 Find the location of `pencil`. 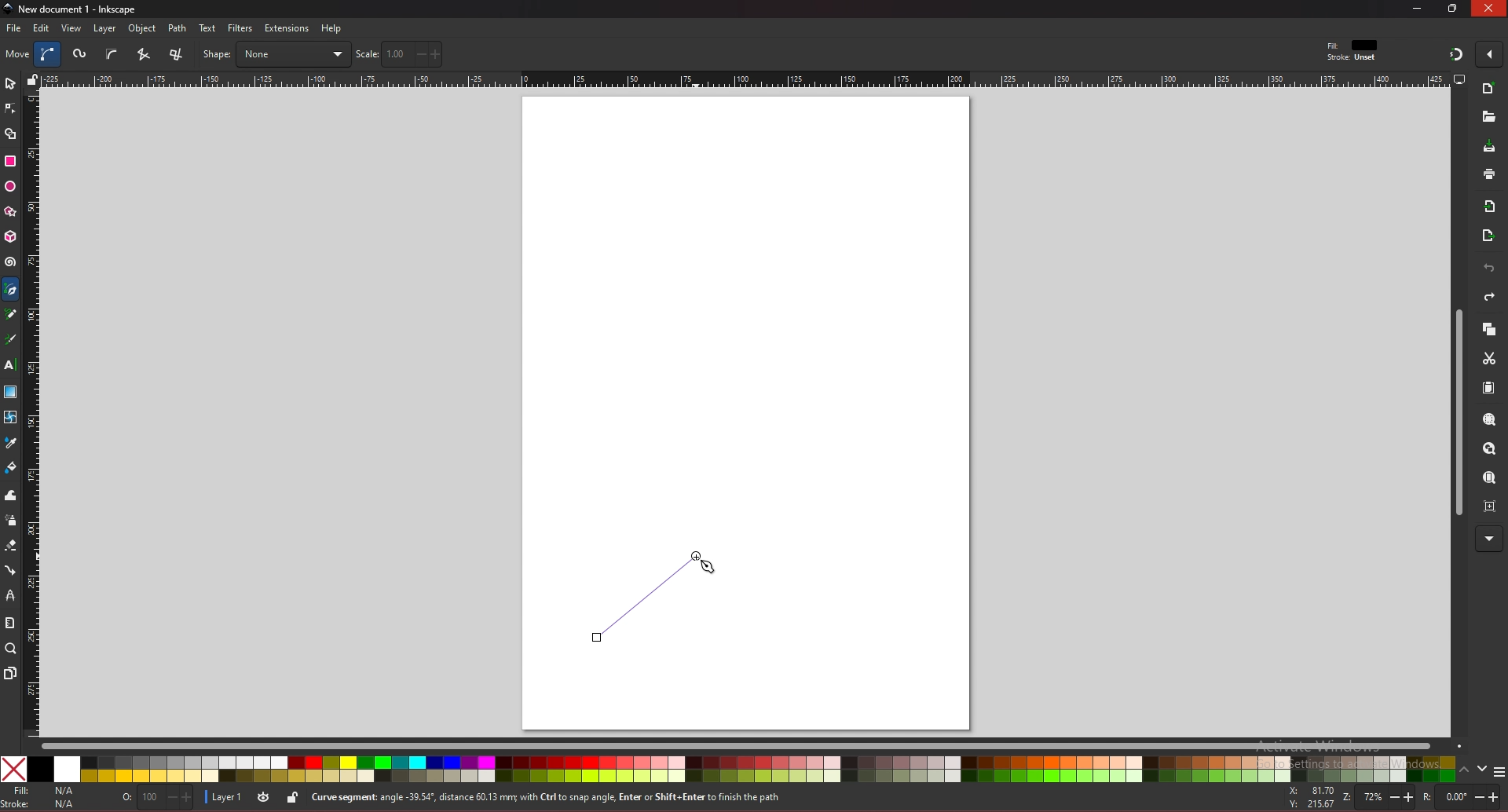

pencil is located at coordinates (15, 315).